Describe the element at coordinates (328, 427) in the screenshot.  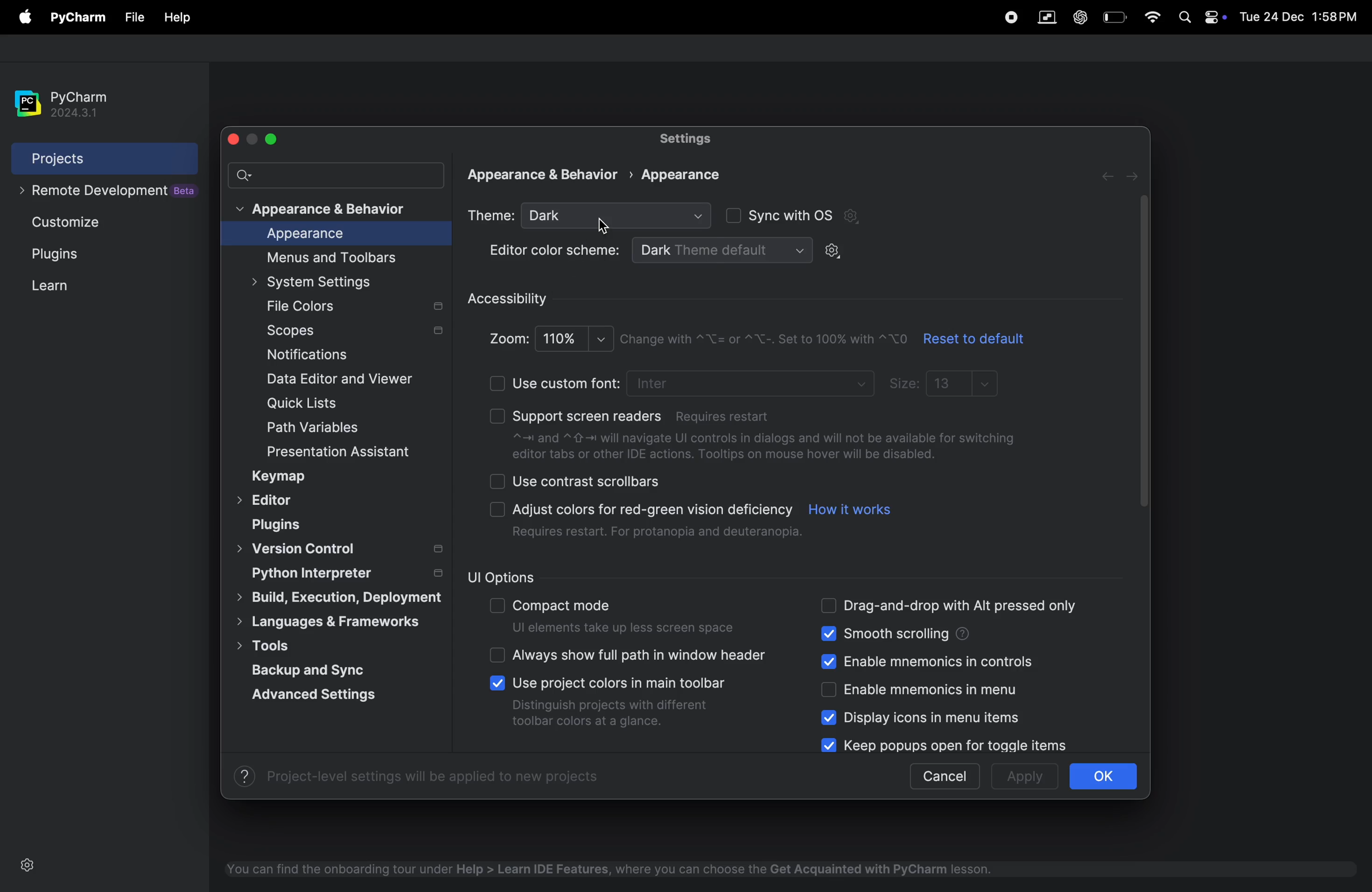
I see `path and variables` at that location.